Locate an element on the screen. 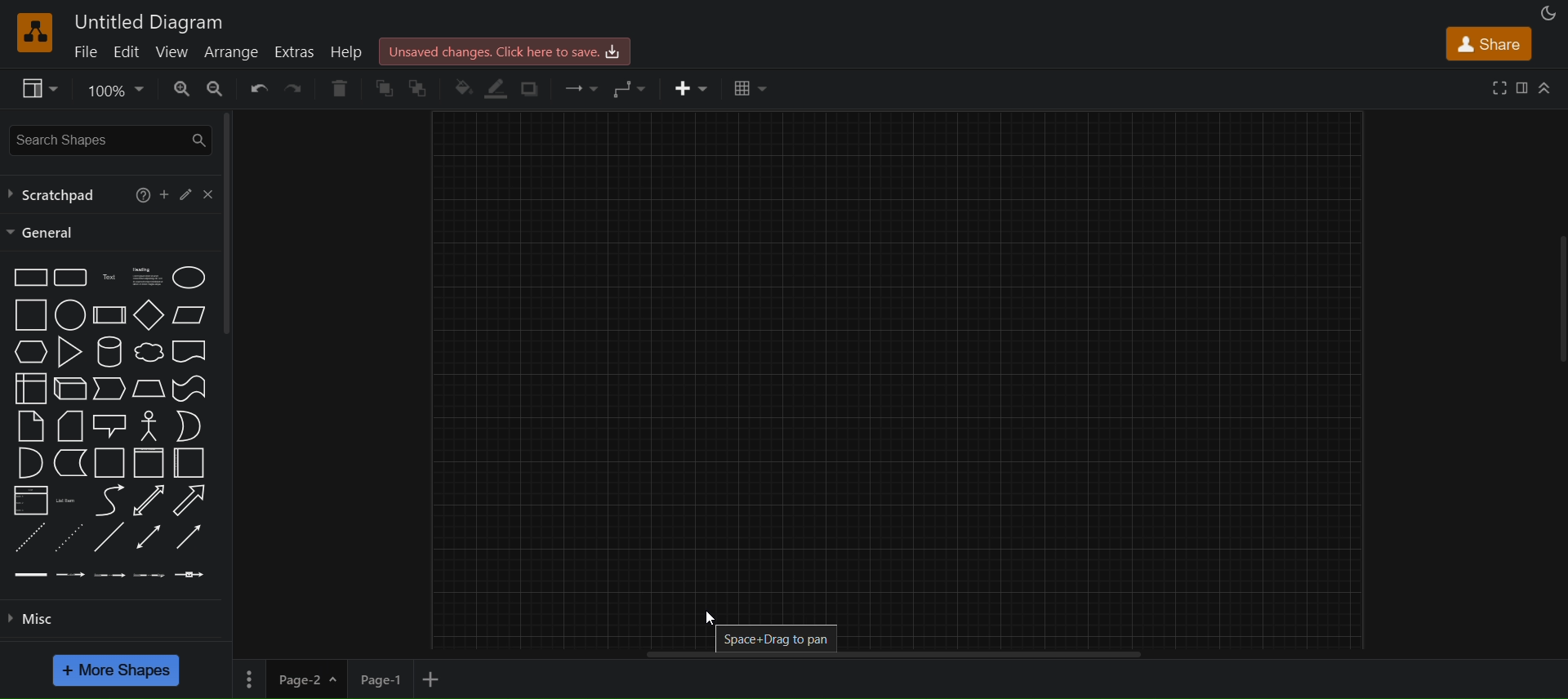 Image resolution: width=1568 pixels, height=699 pixels. callout is located at coordinates (109, 425).